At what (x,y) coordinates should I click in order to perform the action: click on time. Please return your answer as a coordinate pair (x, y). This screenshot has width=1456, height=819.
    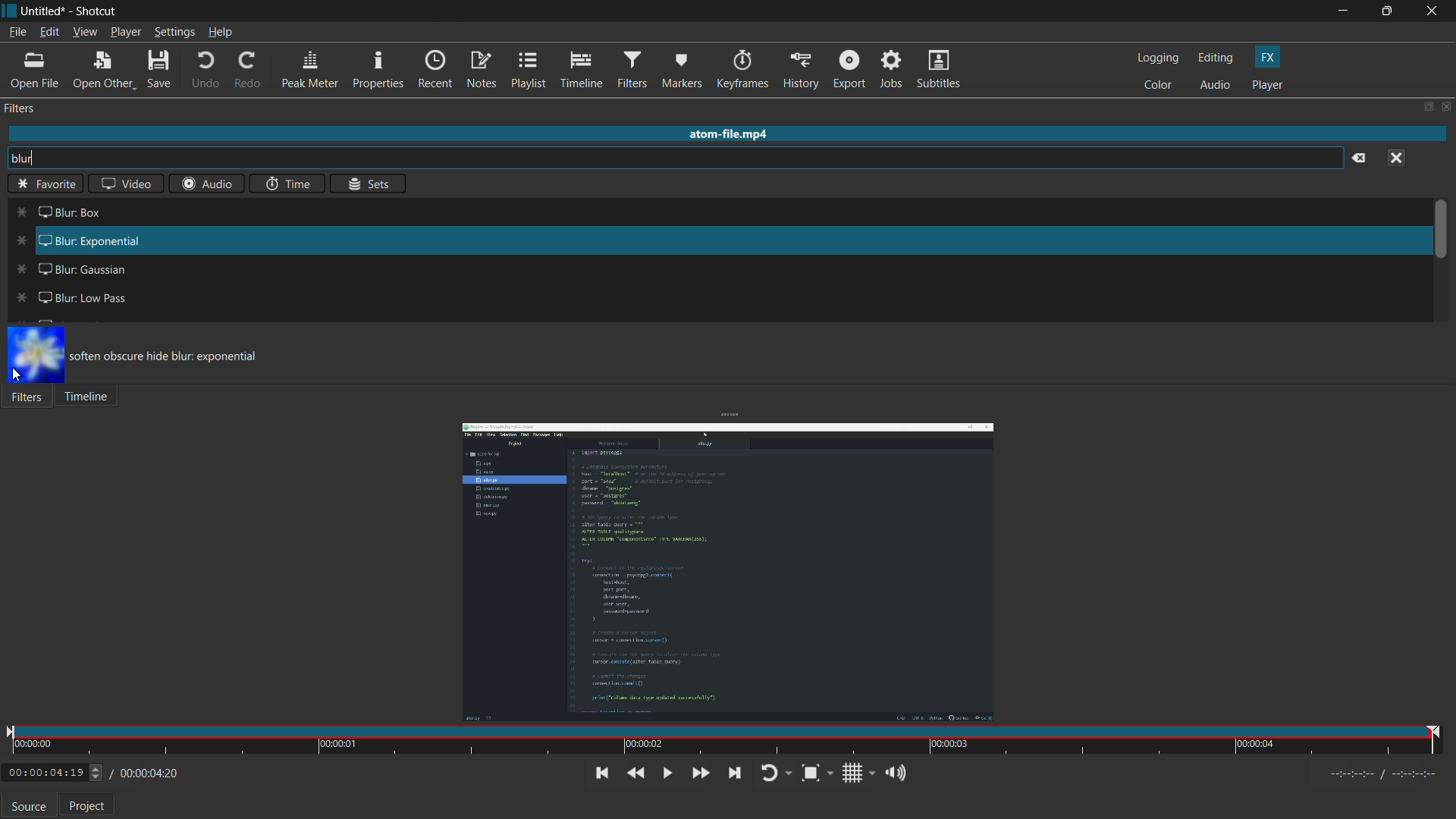
    Looking at the image, I should click on (726, 741).